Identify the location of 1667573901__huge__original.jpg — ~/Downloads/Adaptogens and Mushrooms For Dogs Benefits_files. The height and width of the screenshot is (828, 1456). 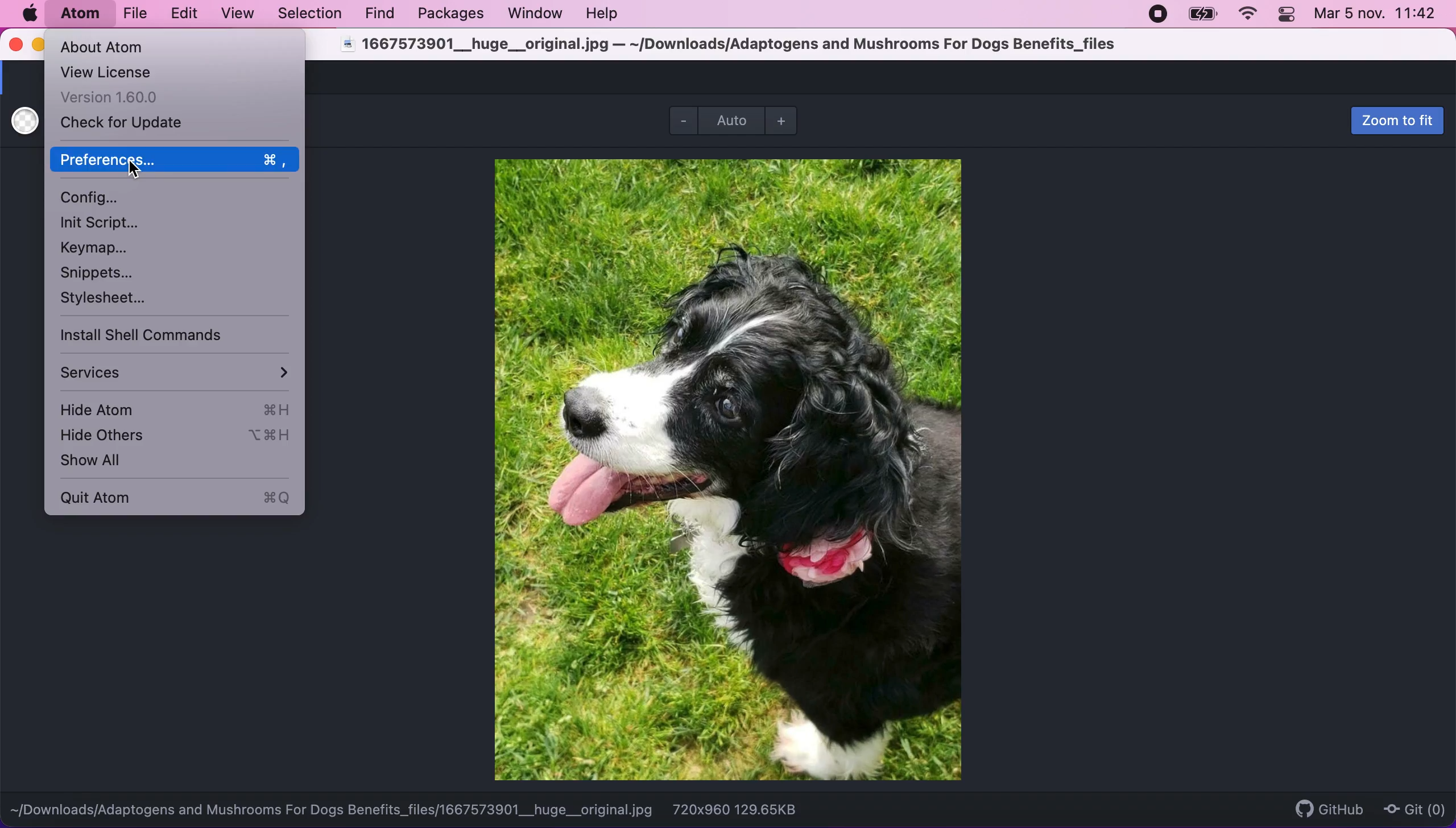
(726, 45).